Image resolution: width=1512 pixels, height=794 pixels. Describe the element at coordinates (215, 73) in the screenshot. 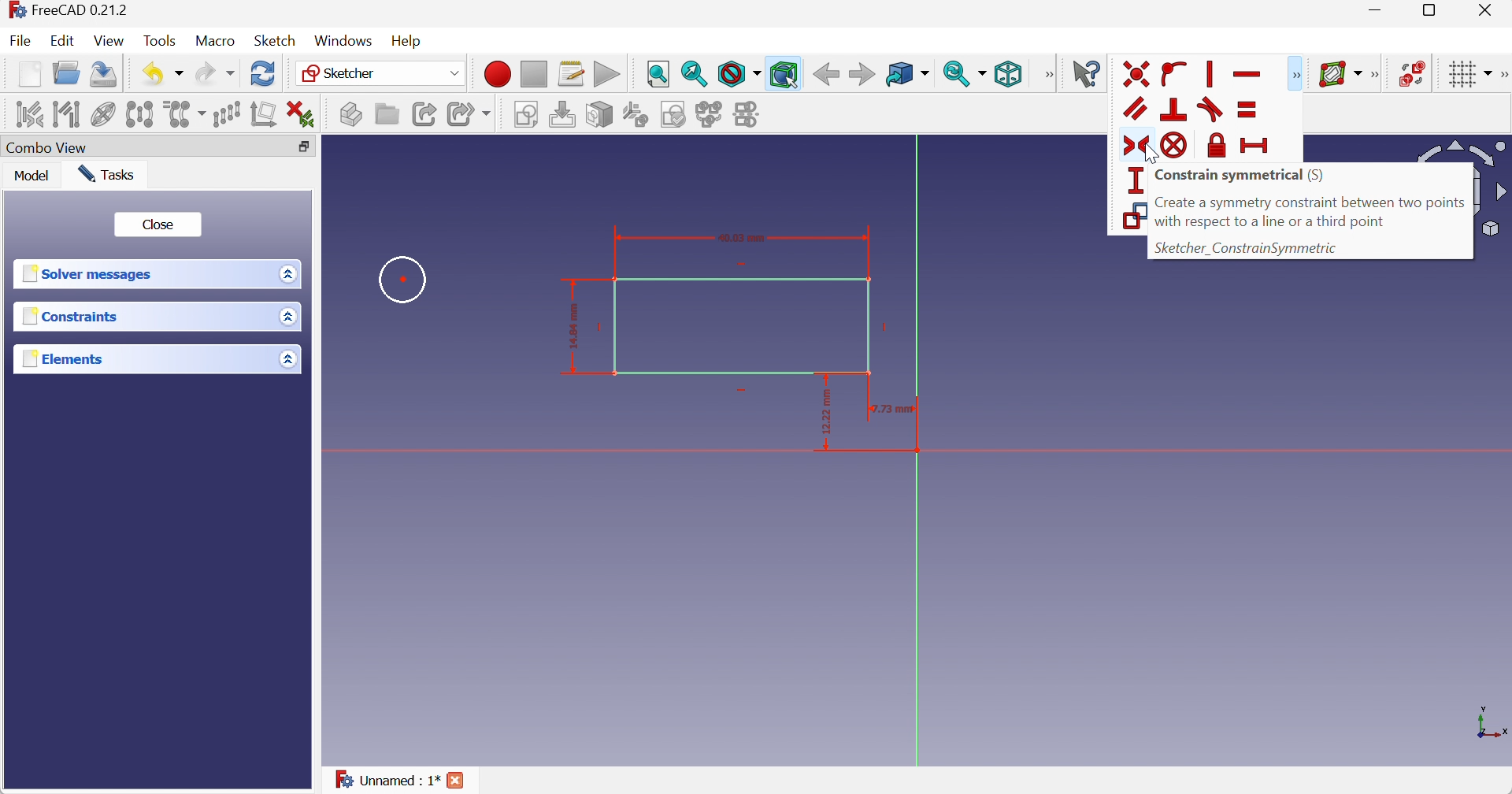

I see `Redo` at that location.